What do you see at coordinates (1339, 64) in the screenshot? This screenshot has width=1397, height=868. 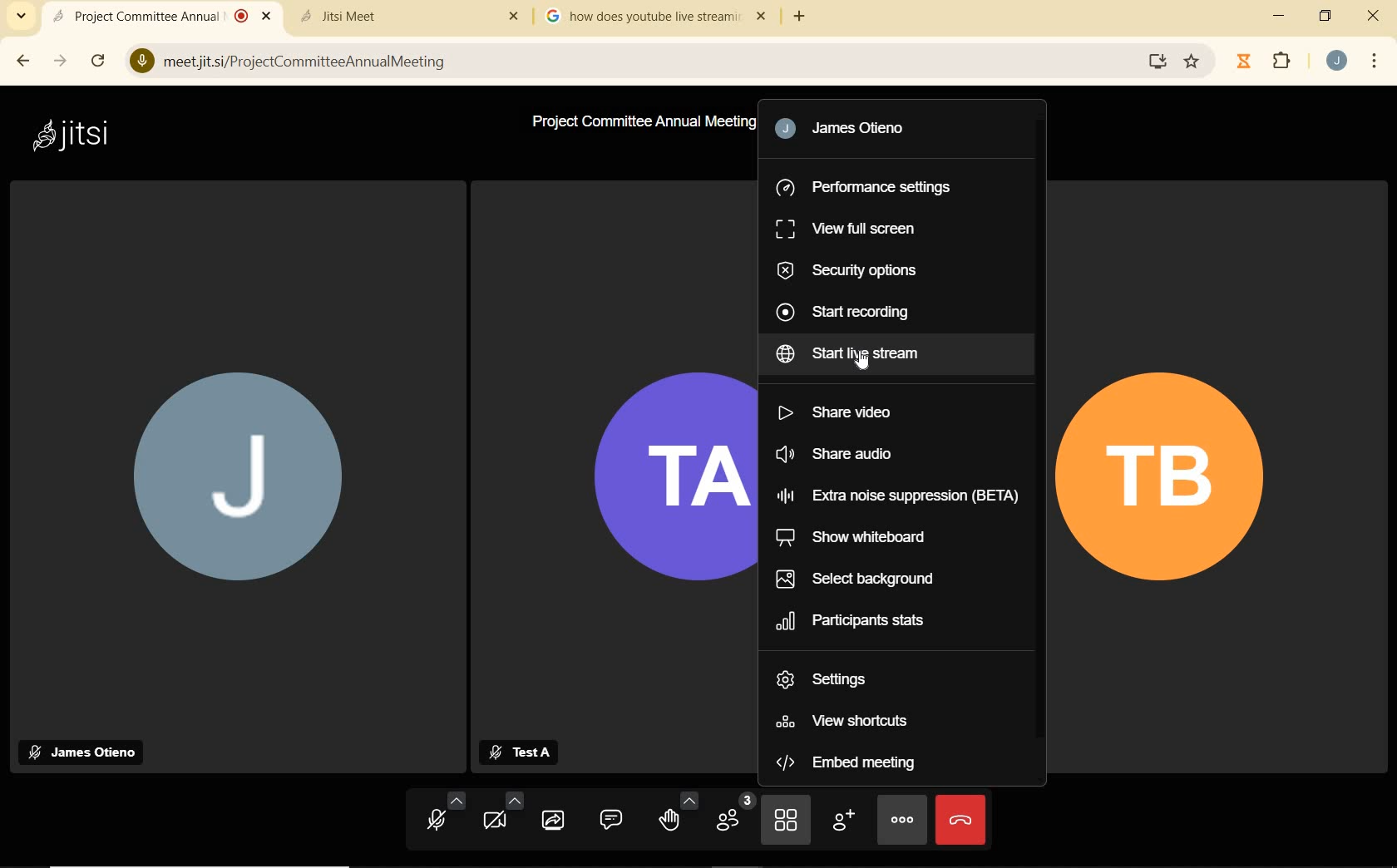 I see `account` at bounding box center [1339, 64].